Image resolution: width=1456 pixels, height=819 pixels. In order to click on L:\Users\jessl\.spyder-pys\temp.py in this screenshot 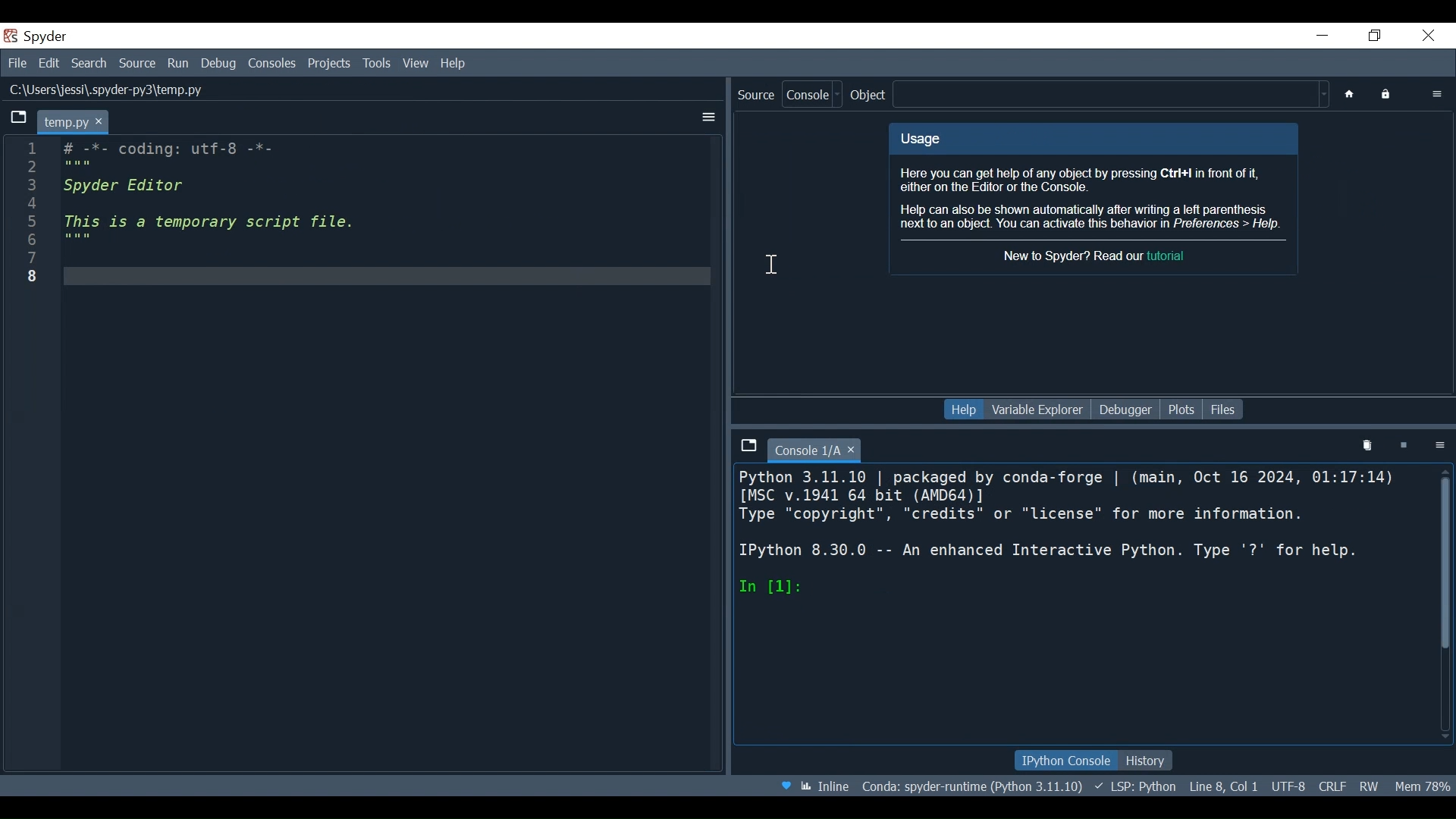, I will do `click(121, 94)`.